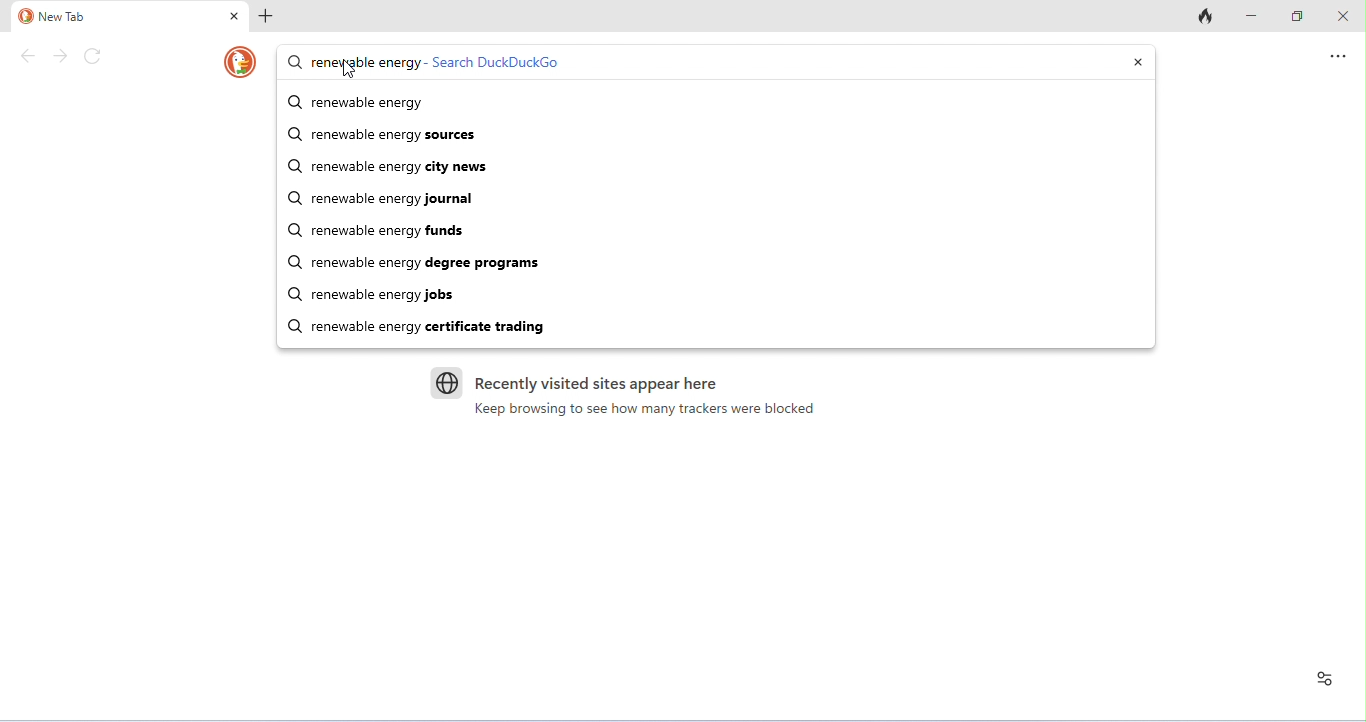  I want to click on search icon, so click(293, 197).